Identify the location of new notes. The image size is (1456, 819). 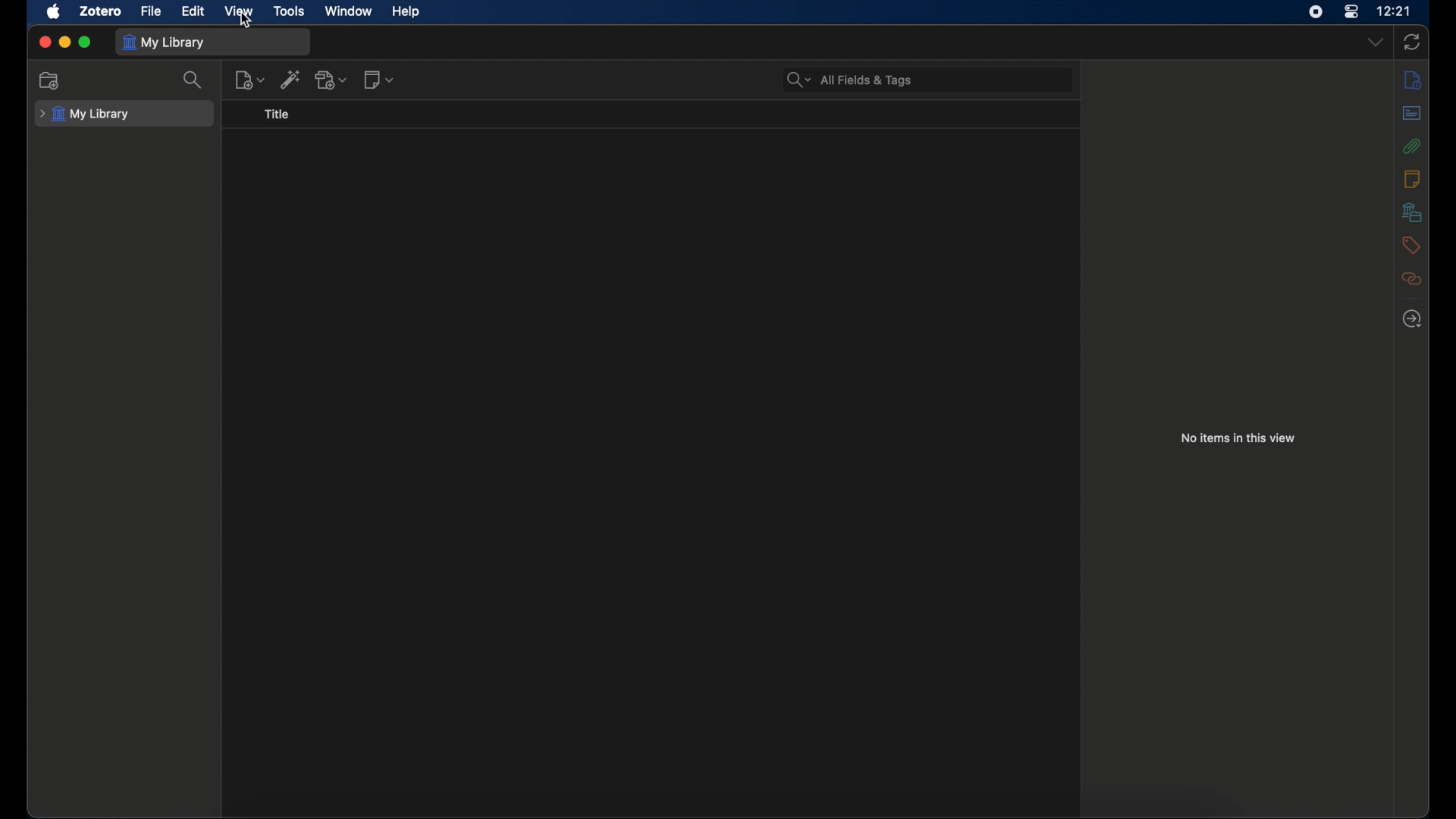
(378, 80).